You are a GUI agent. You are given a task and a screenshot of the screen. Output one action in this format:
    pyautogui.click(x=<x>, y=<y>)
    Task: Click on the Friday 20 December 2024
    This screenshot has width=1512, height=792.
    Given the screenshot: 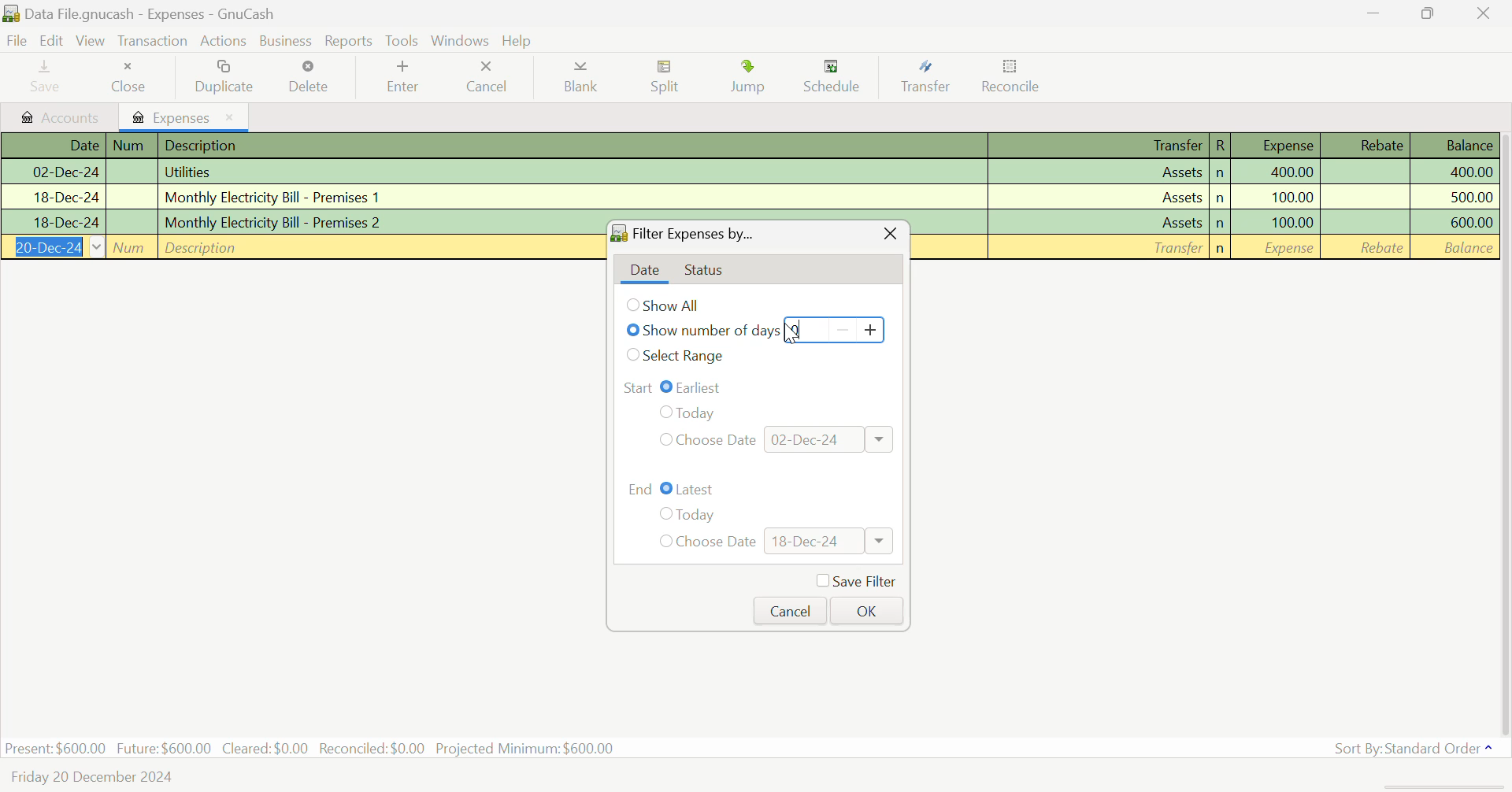 What is the action you would take?
    pyautogui.click(x=95, y=775)
    